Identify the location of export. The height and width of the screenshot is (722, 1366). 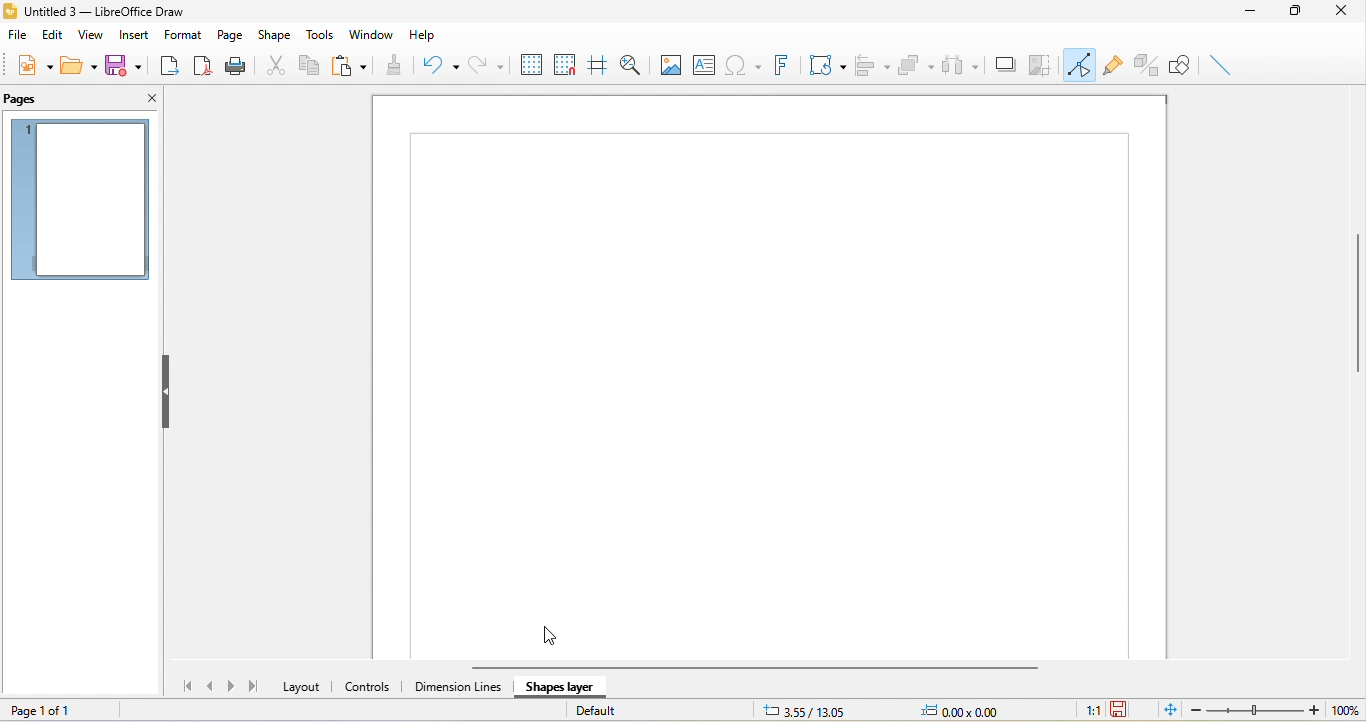
(171, 66).